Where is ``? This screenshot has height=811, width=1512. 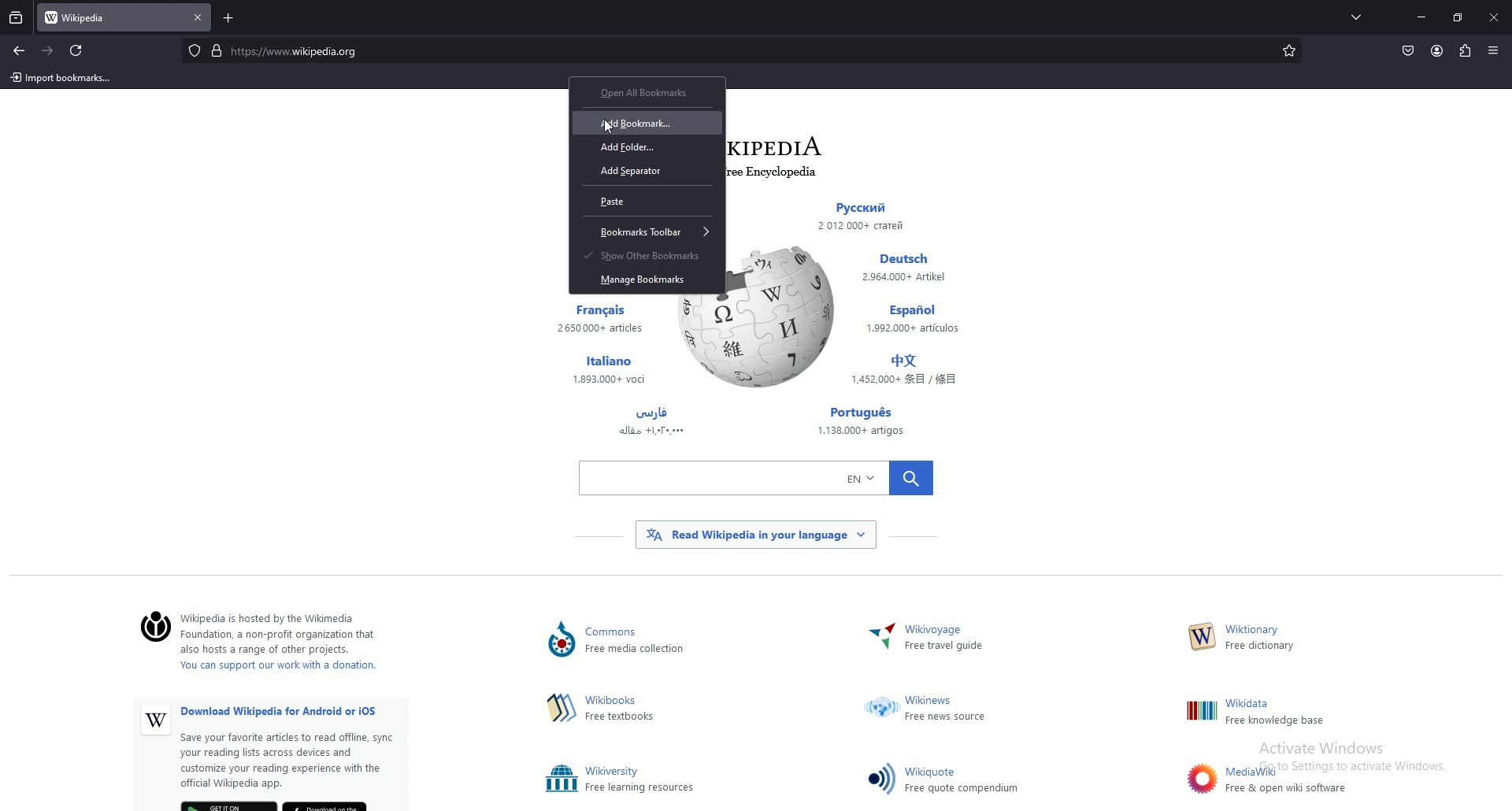
 is located at coordinates (560, 707).